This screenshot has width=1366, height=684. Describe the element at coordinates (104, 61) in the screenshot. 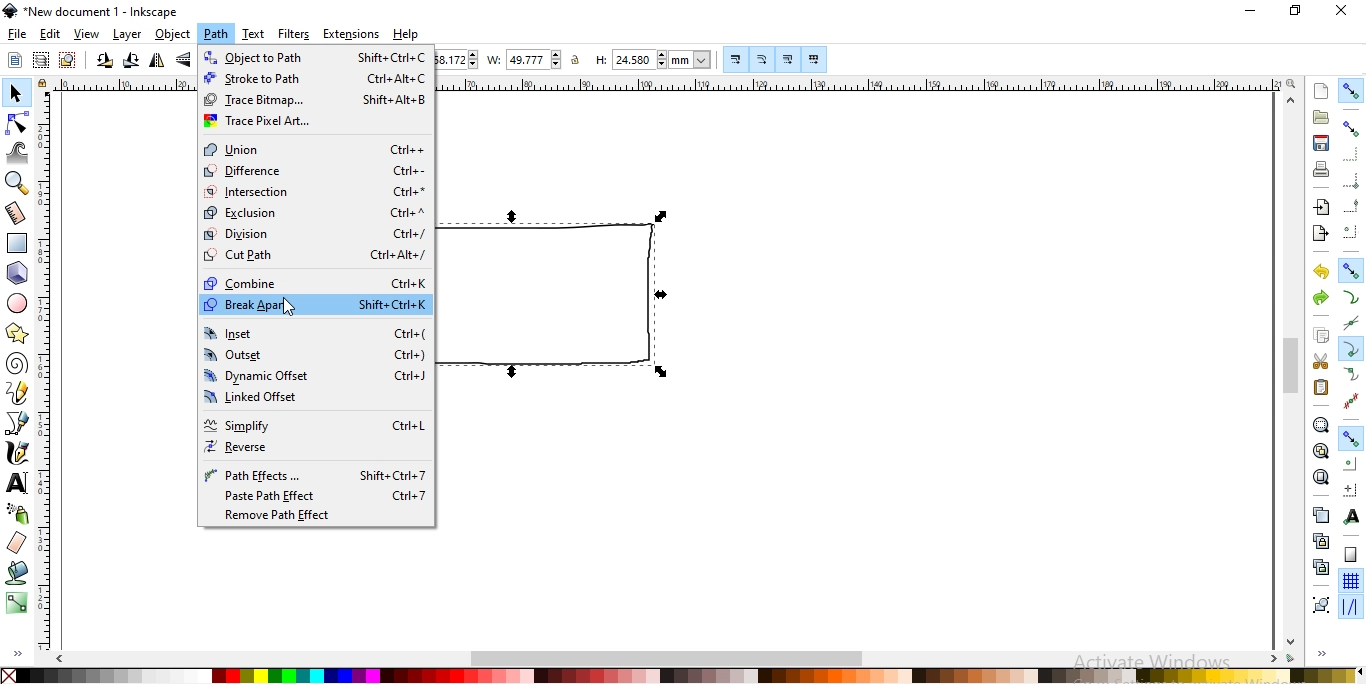

I see `rotate selction 90 counter clockwise` at that location.